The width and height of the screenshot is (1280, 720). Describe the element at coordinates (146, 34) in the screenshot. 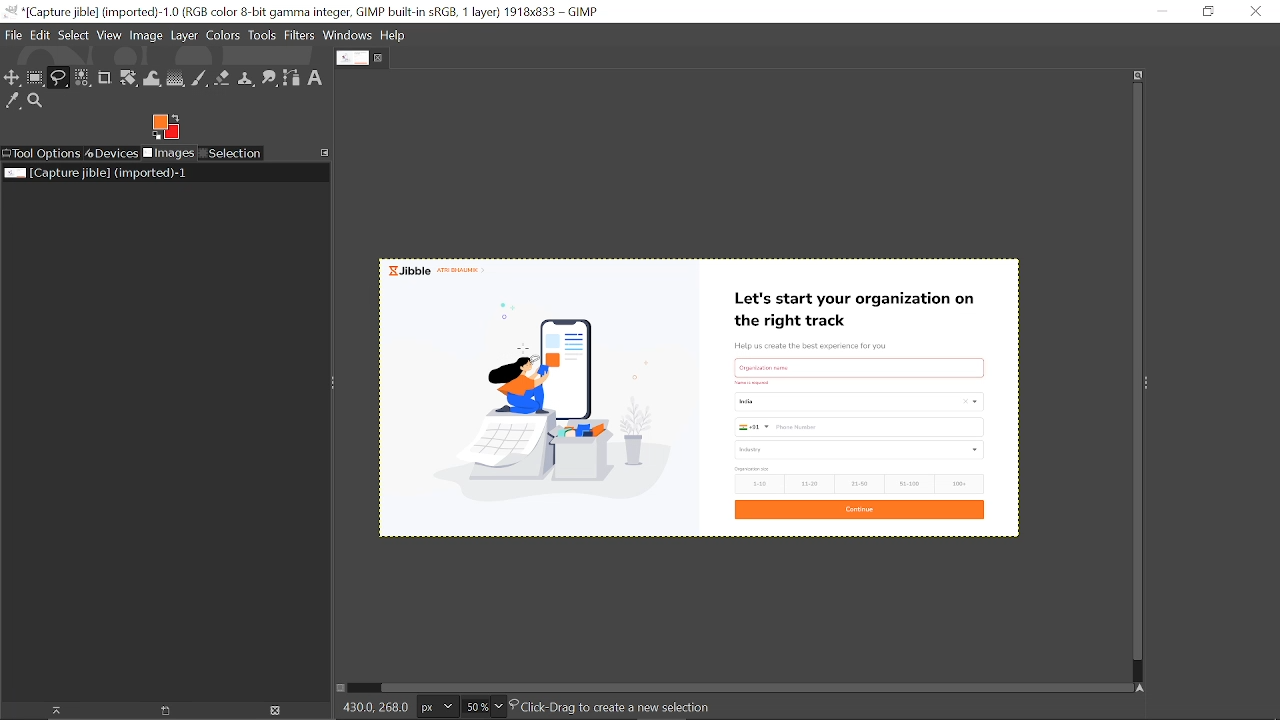

I see `Image` at that location.